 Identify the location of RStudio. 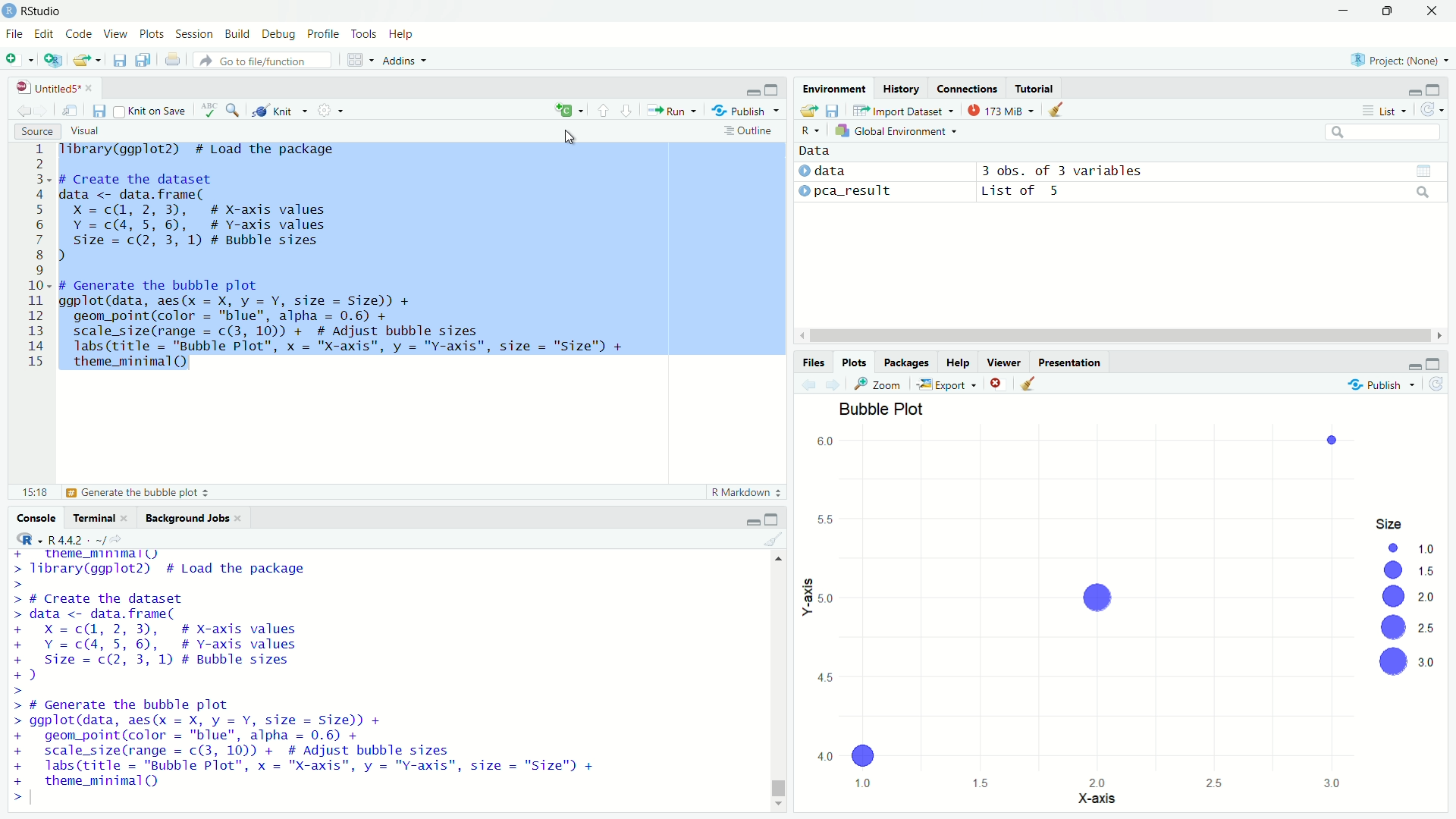
(42, 11).